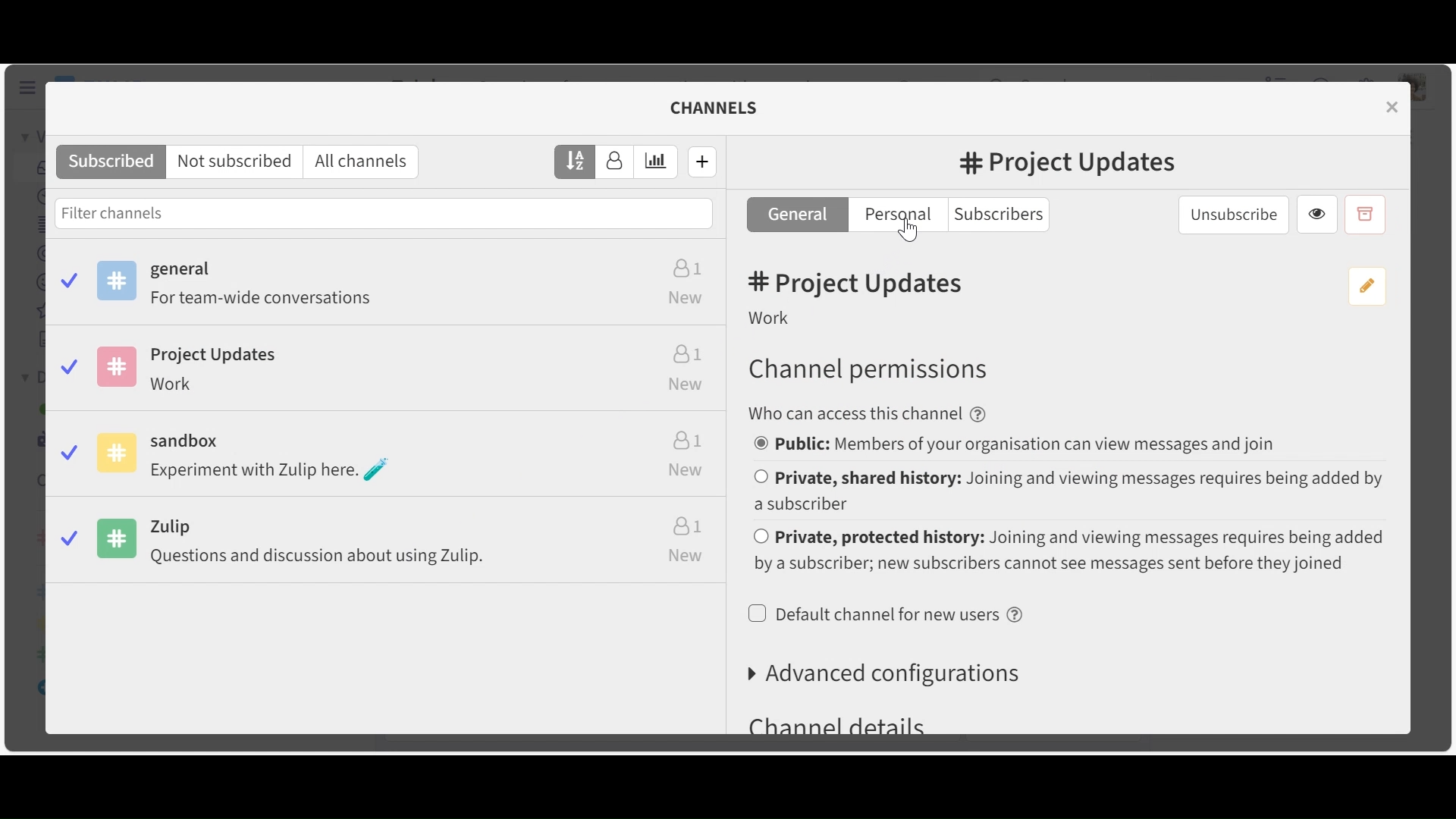  I want to click on channel details, so click(839, 726).